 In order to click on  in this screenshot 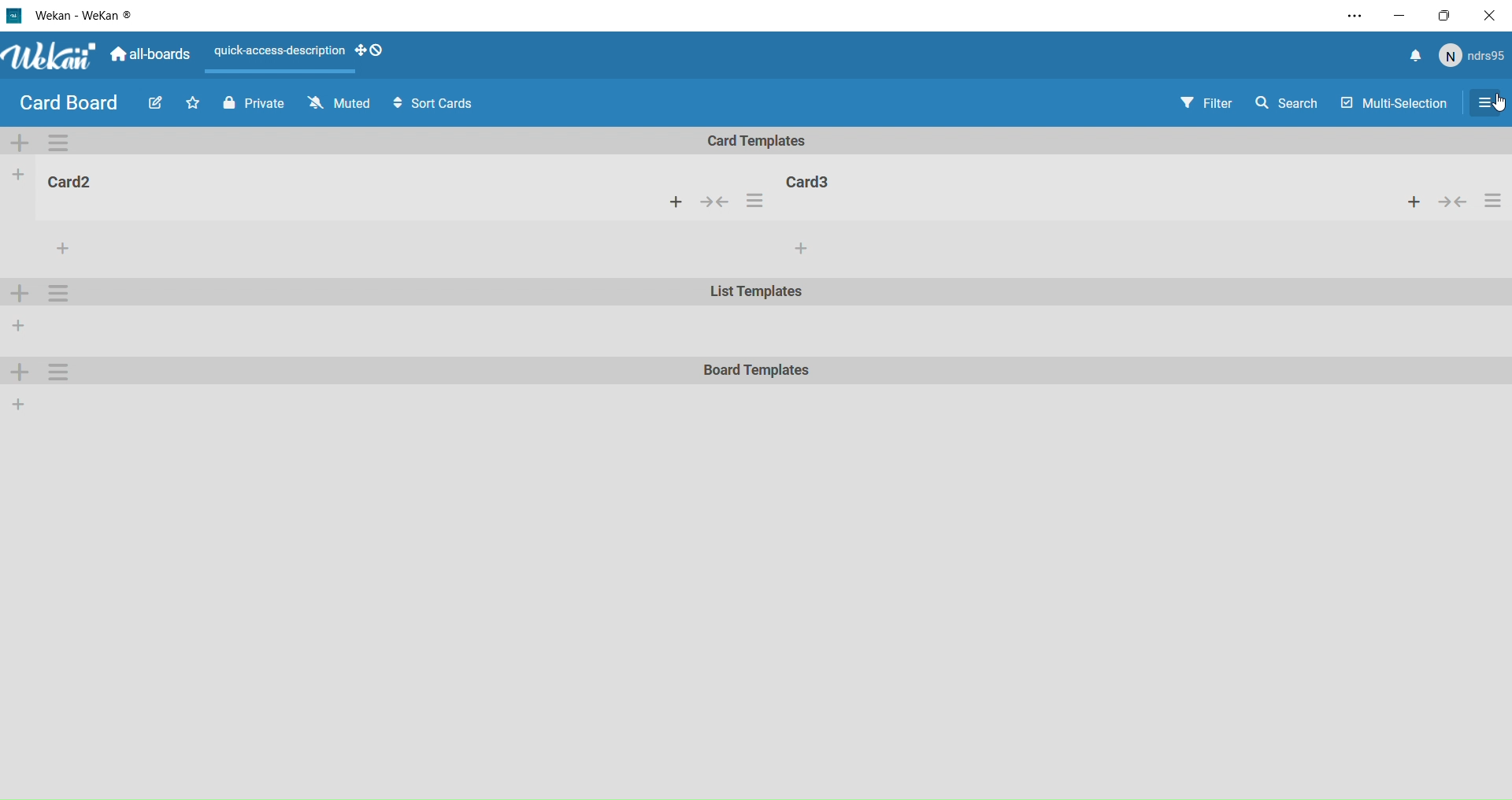, I will do `click(53, 55)`.